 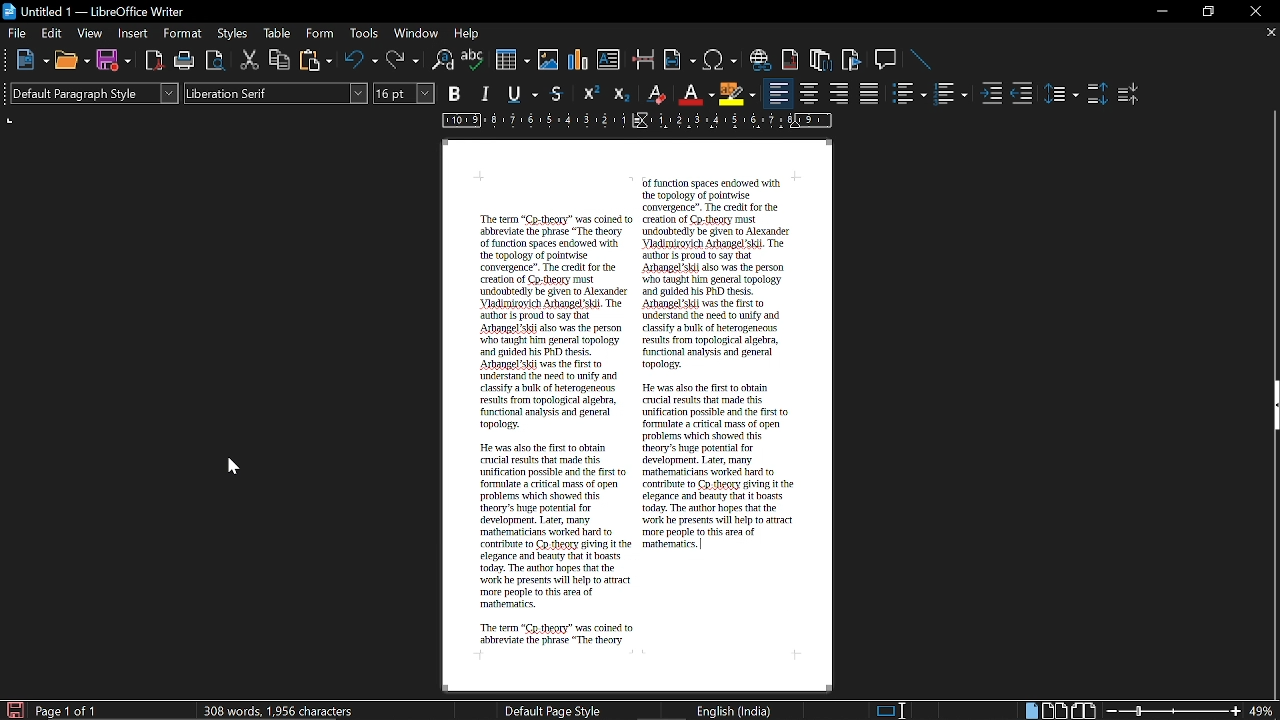 What do you see at coordinates (1191, 710) in the screenshot?
I see `change zoom` at bounding box center [1191, 710].